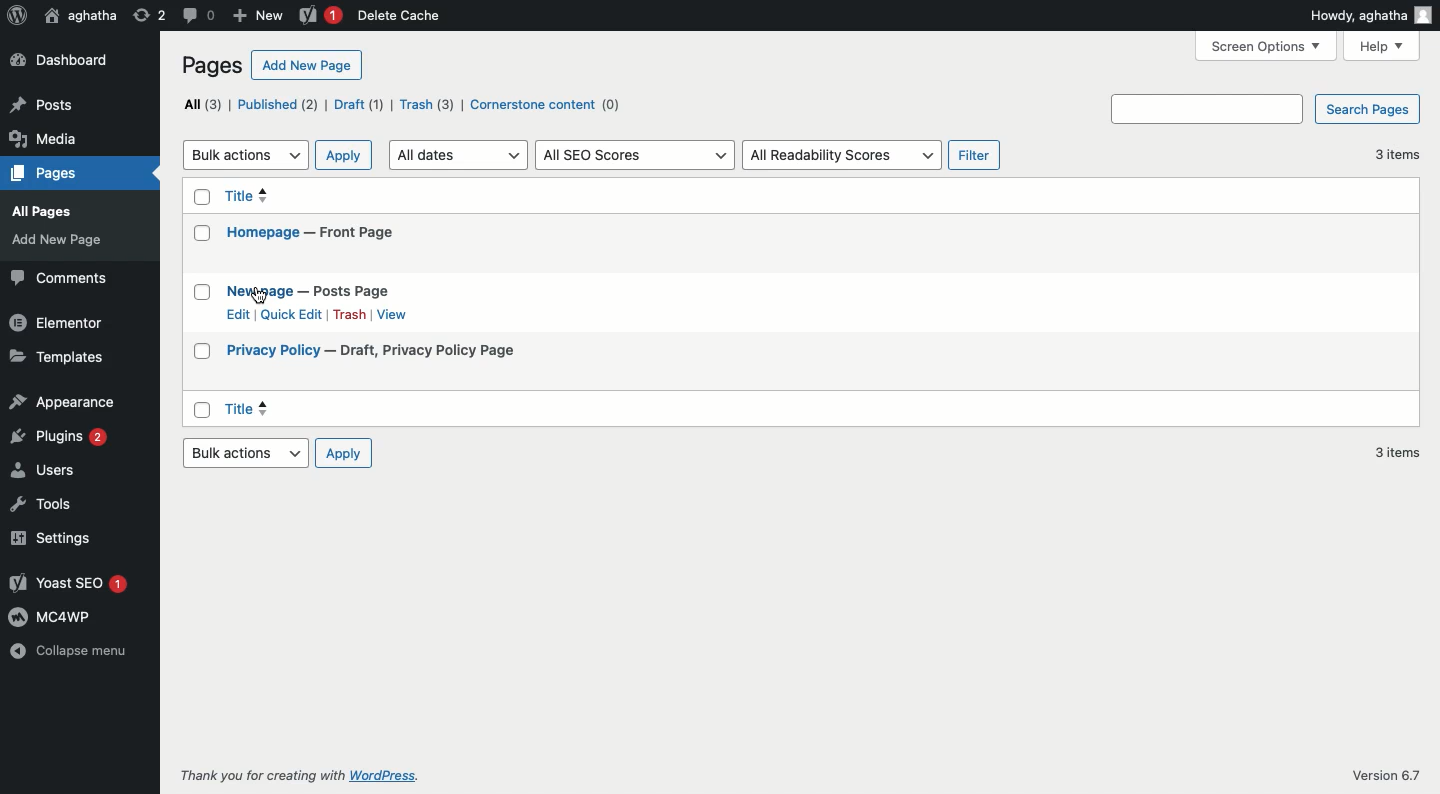  Describe the element at coordinates (306, 65) in the screenshot. I see `Add new page` at that location.